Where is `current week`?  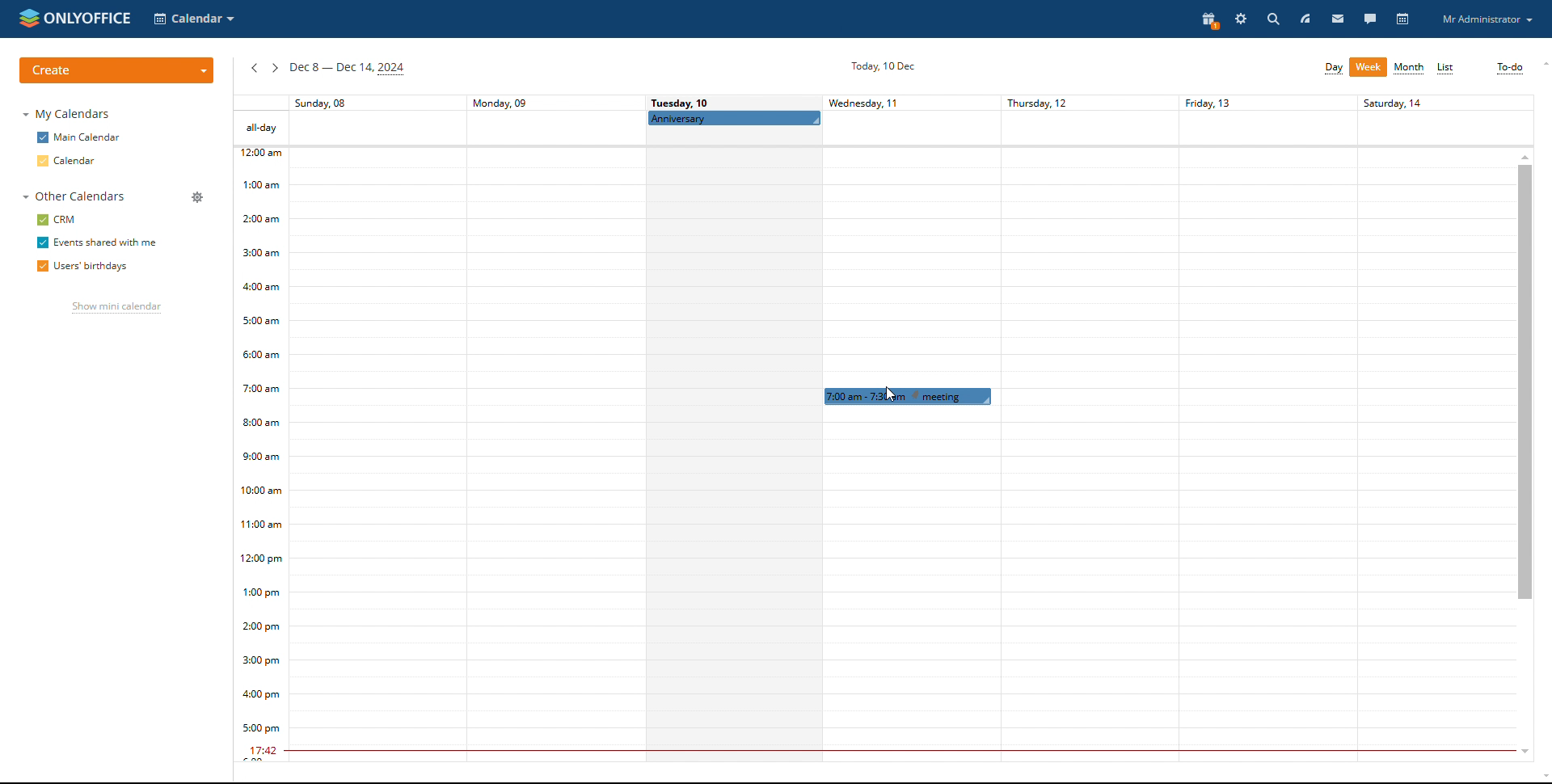 current week is located at coordinates (347, 70).